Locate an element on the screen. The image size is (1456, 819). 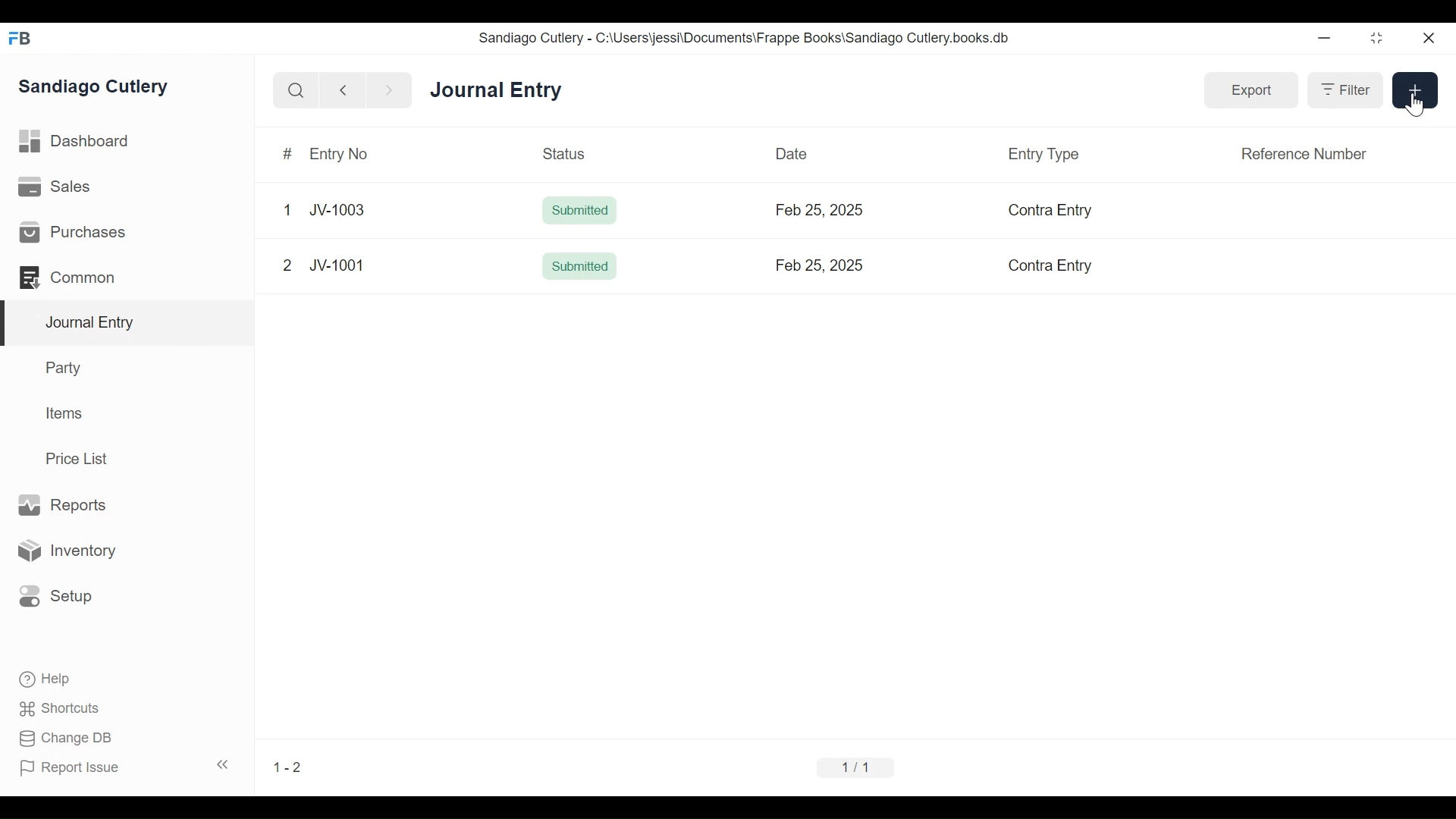
Submitted is located at coordinates (581, 211).